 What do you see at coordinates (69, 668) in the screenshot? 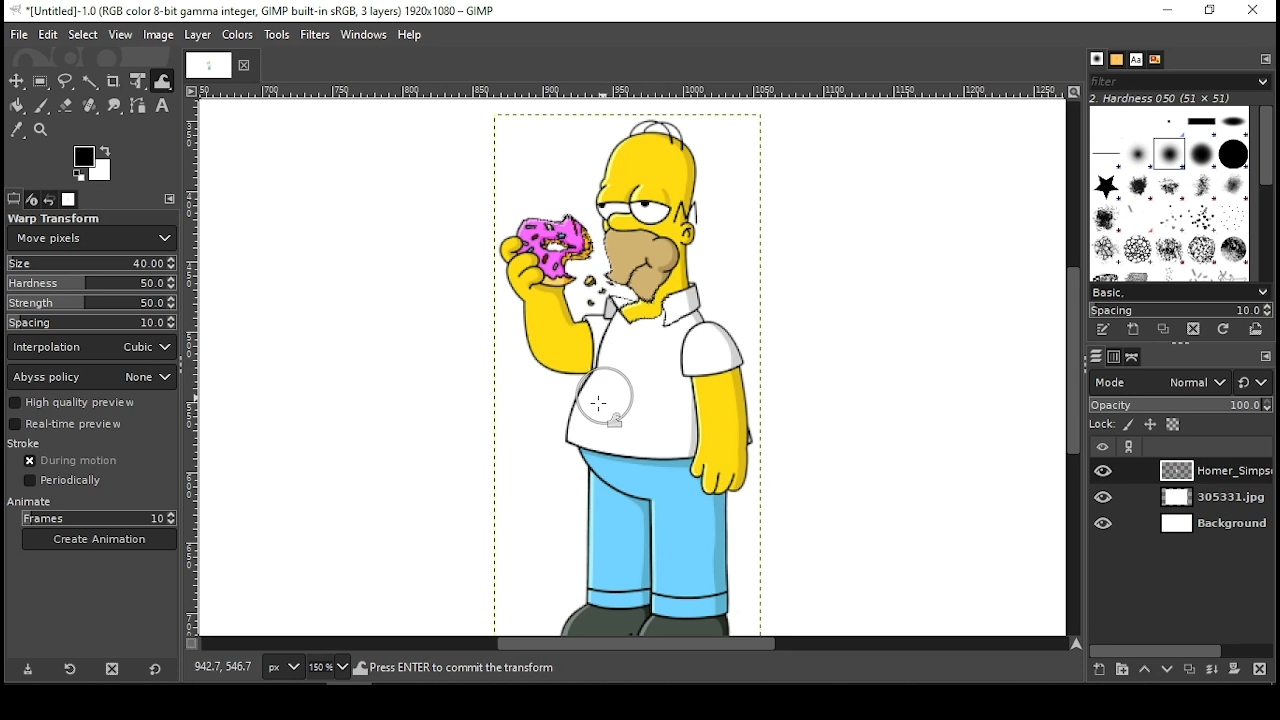
I see `restore tool preset` at bounding box center [69, 668].